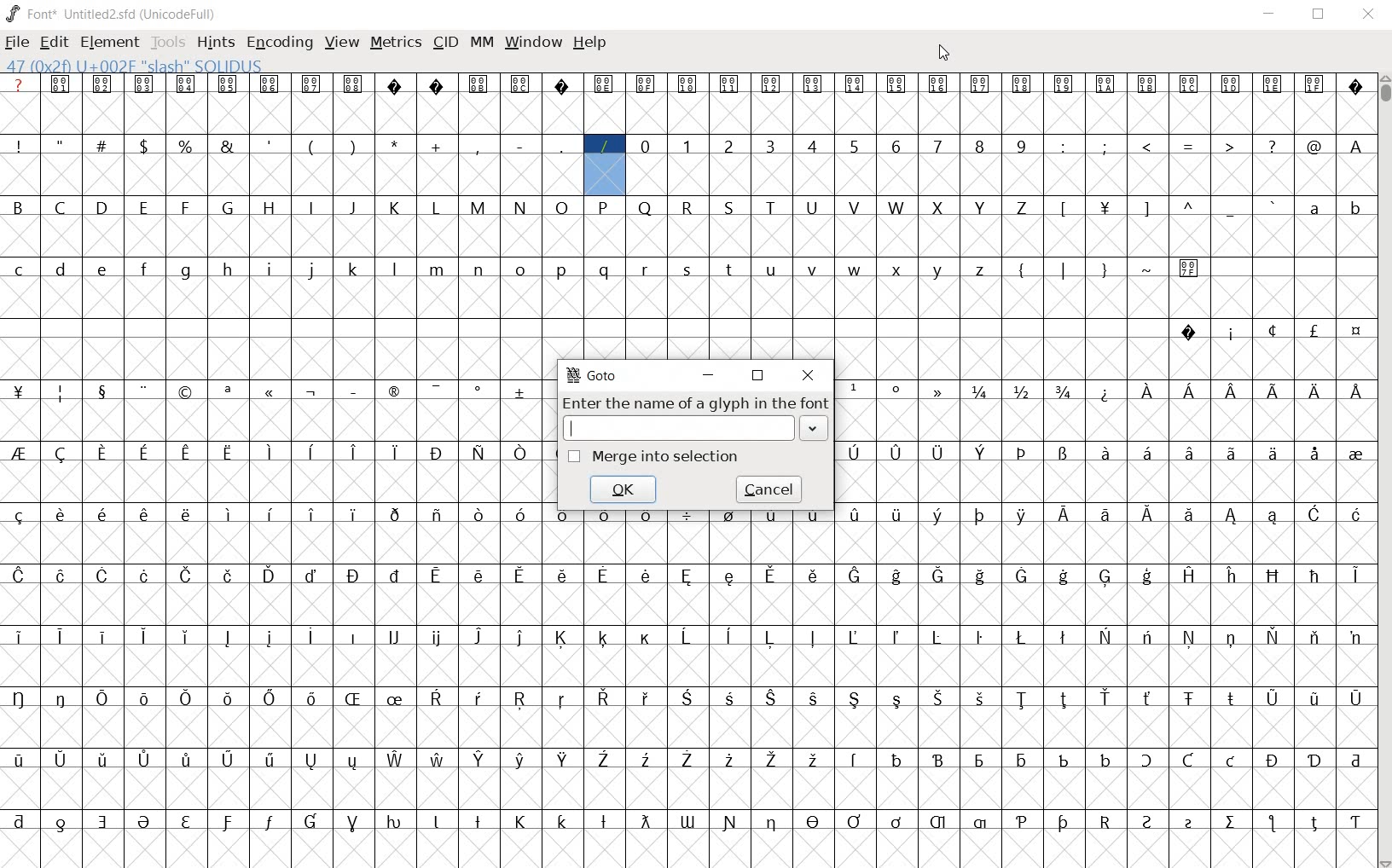  Describe the element at coordinates (355, 637) in the screenshot. I see `glyph` at that location.